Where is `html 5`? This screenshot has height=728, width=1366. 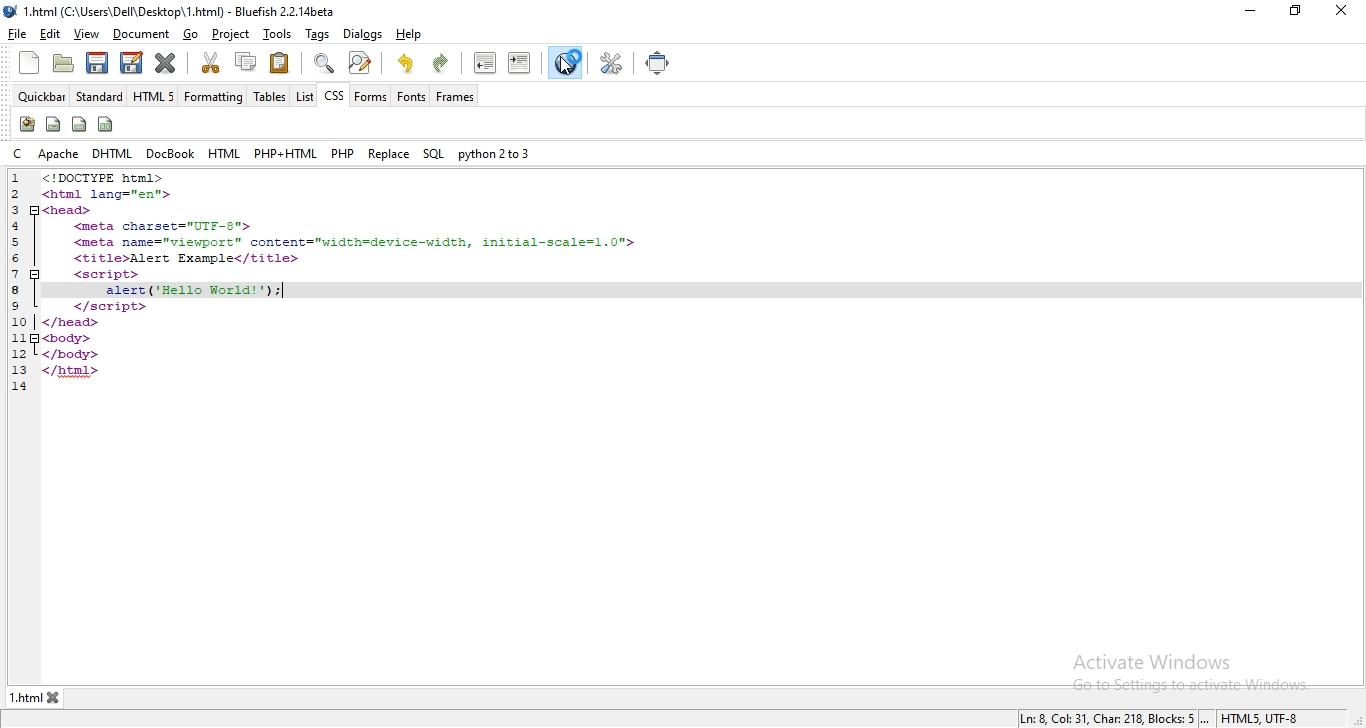
html 5 is located at coordinates (156, 96).